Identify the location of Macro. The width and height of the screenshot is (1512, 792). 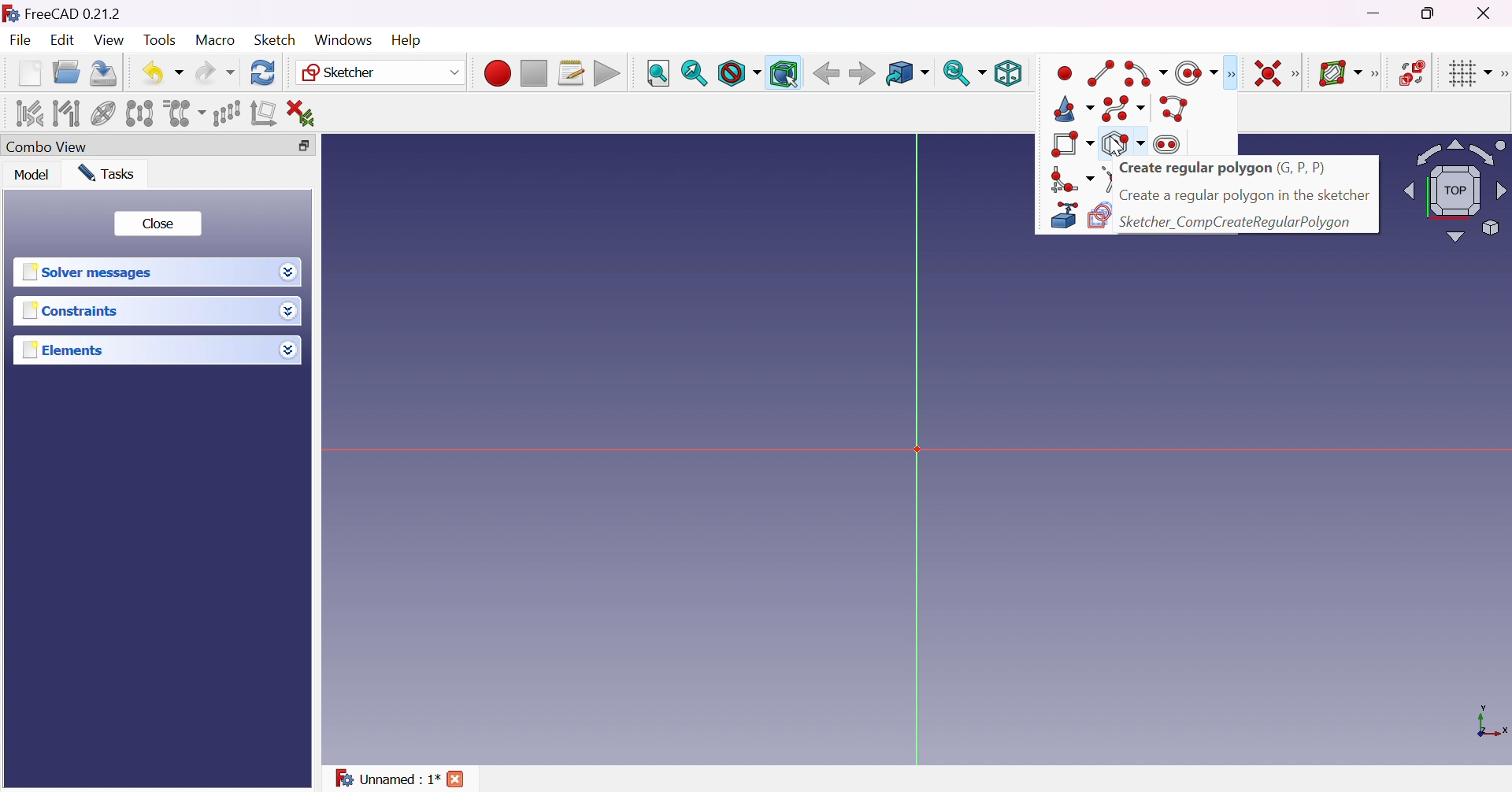
(216, 40).